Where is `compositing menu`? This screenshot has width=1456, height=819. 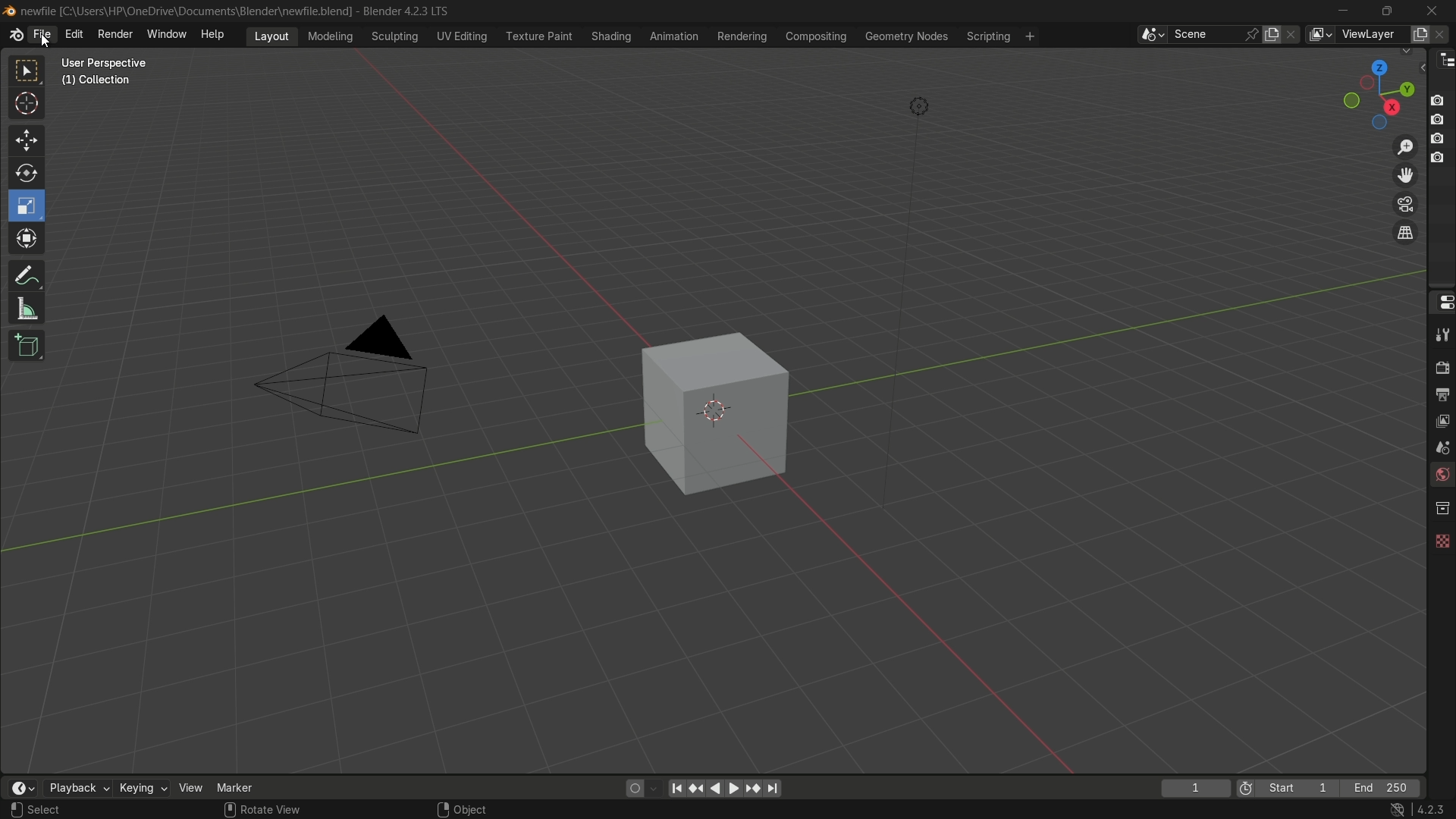
compositing menu is located at coordinates (817, 36).